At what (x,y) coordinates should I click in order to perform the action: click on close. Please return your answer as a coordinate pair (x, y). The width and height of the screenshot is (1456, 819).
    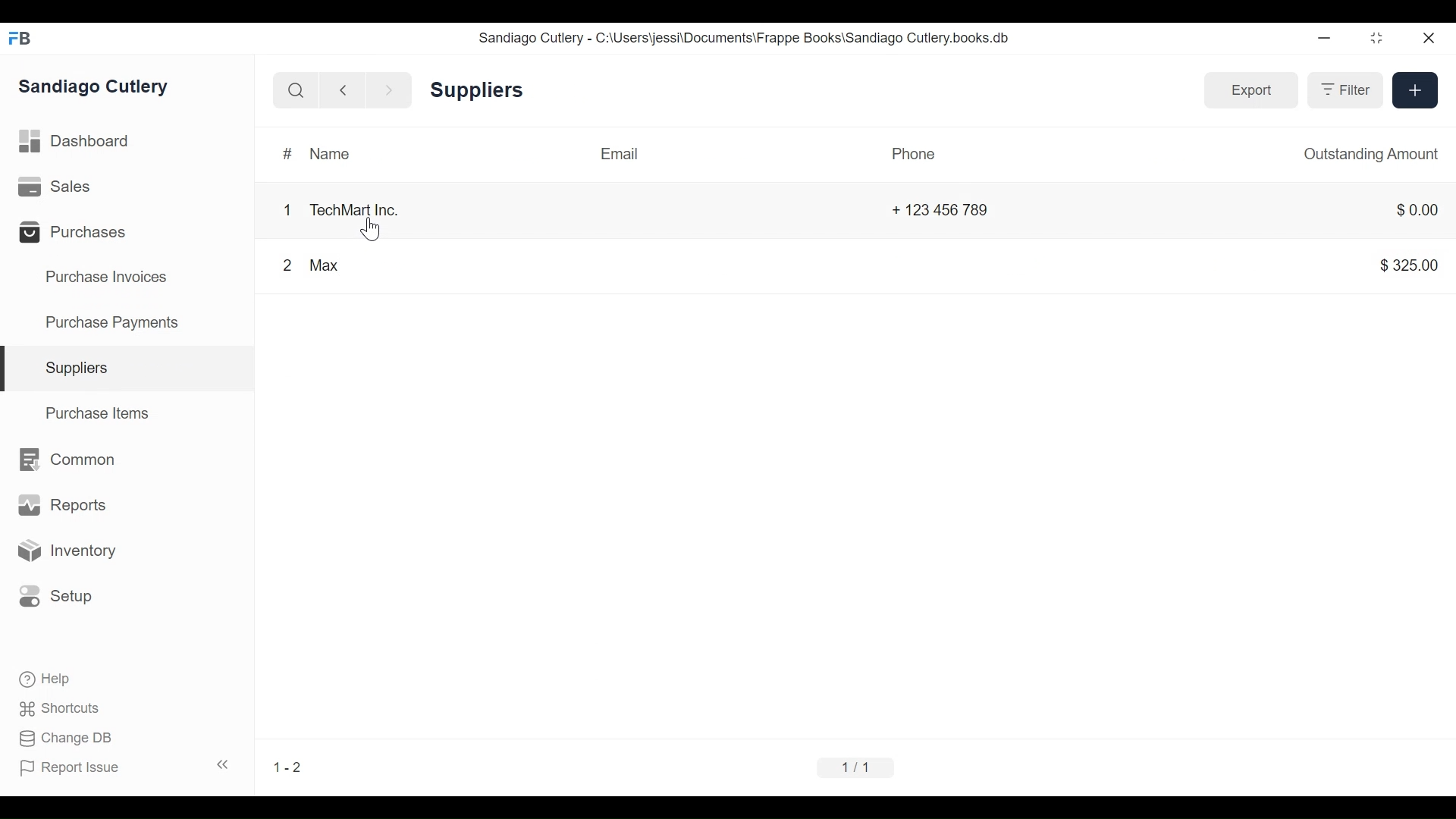
    Looking at the image, I should click on (1430, 41).